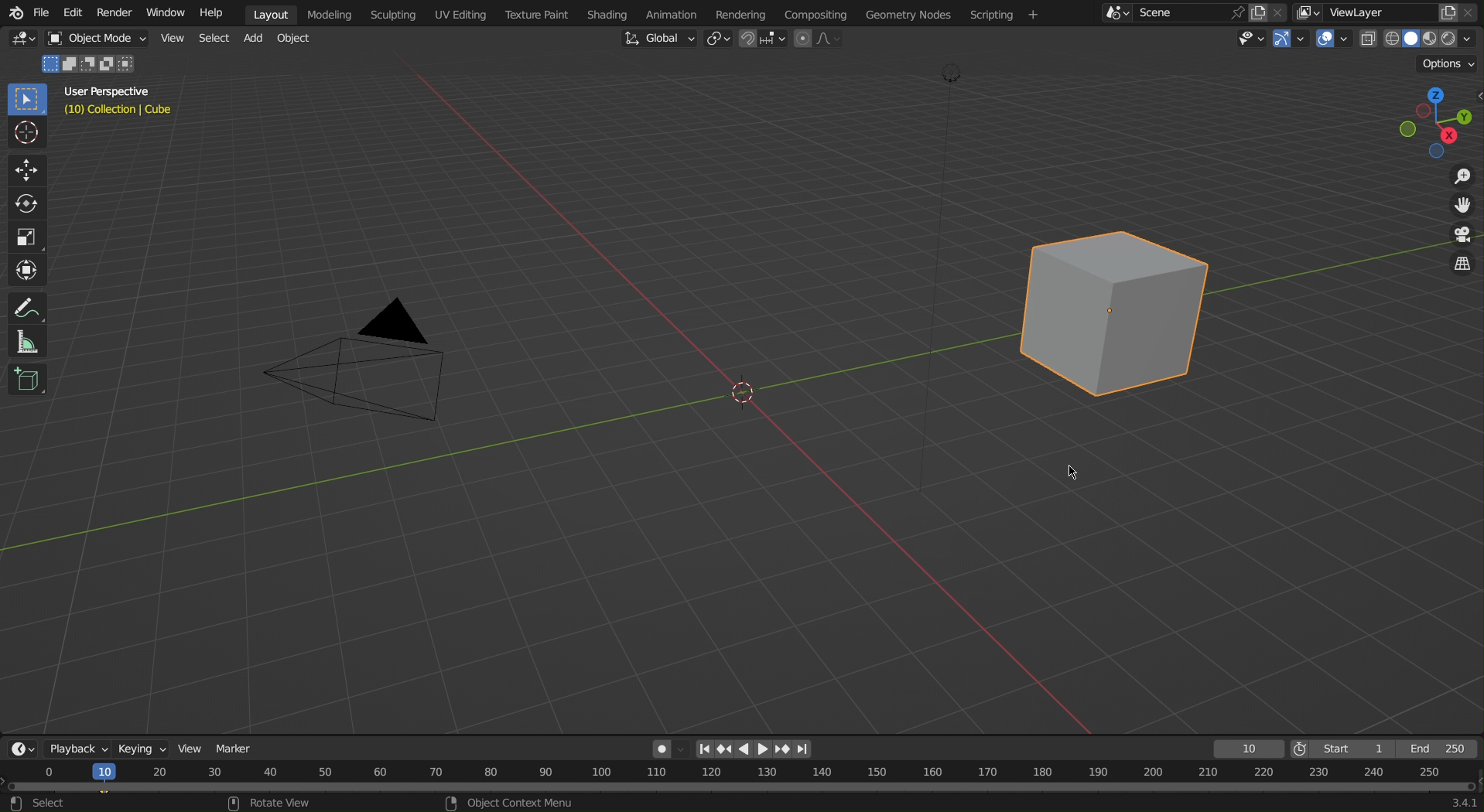 Image resolution: width=1484 pixels, height=812 pixels. Describe the element at coordinates (28, 135) in the screenshot. I see `Cursor` at that location.